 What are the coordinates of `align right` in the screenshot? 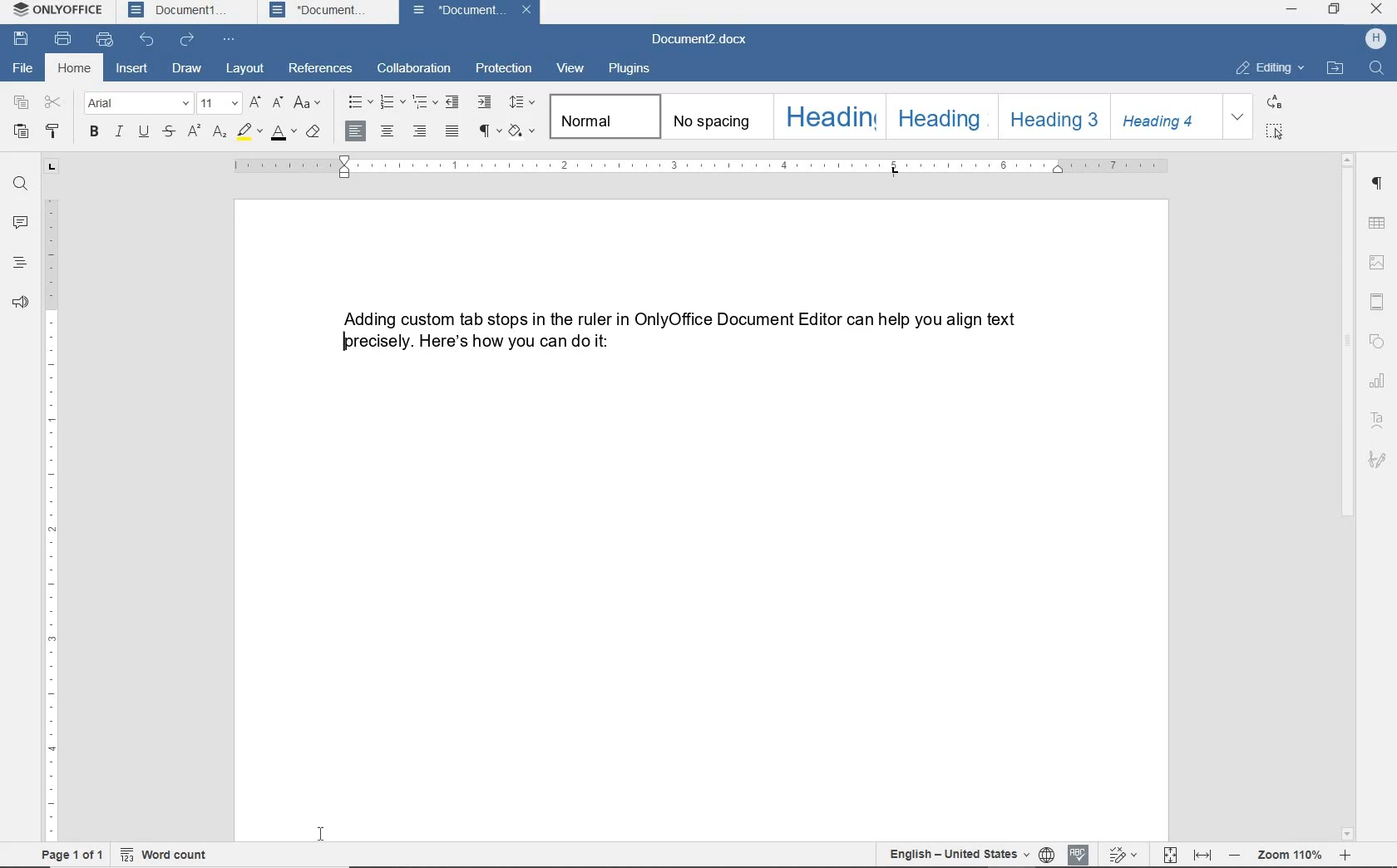 It's located at (358, 131).